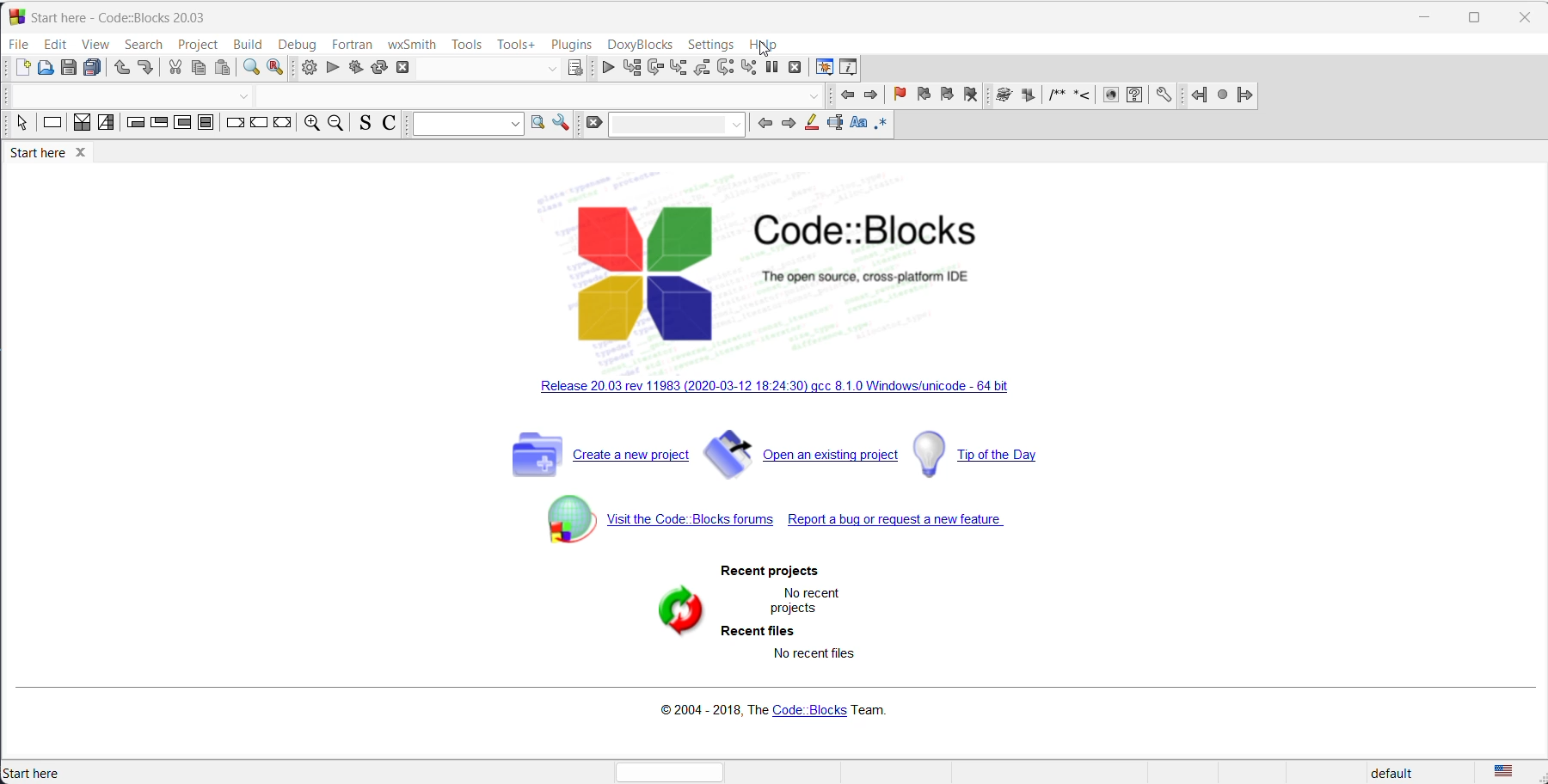  I want to click on run to cursor, so click(633, 68).